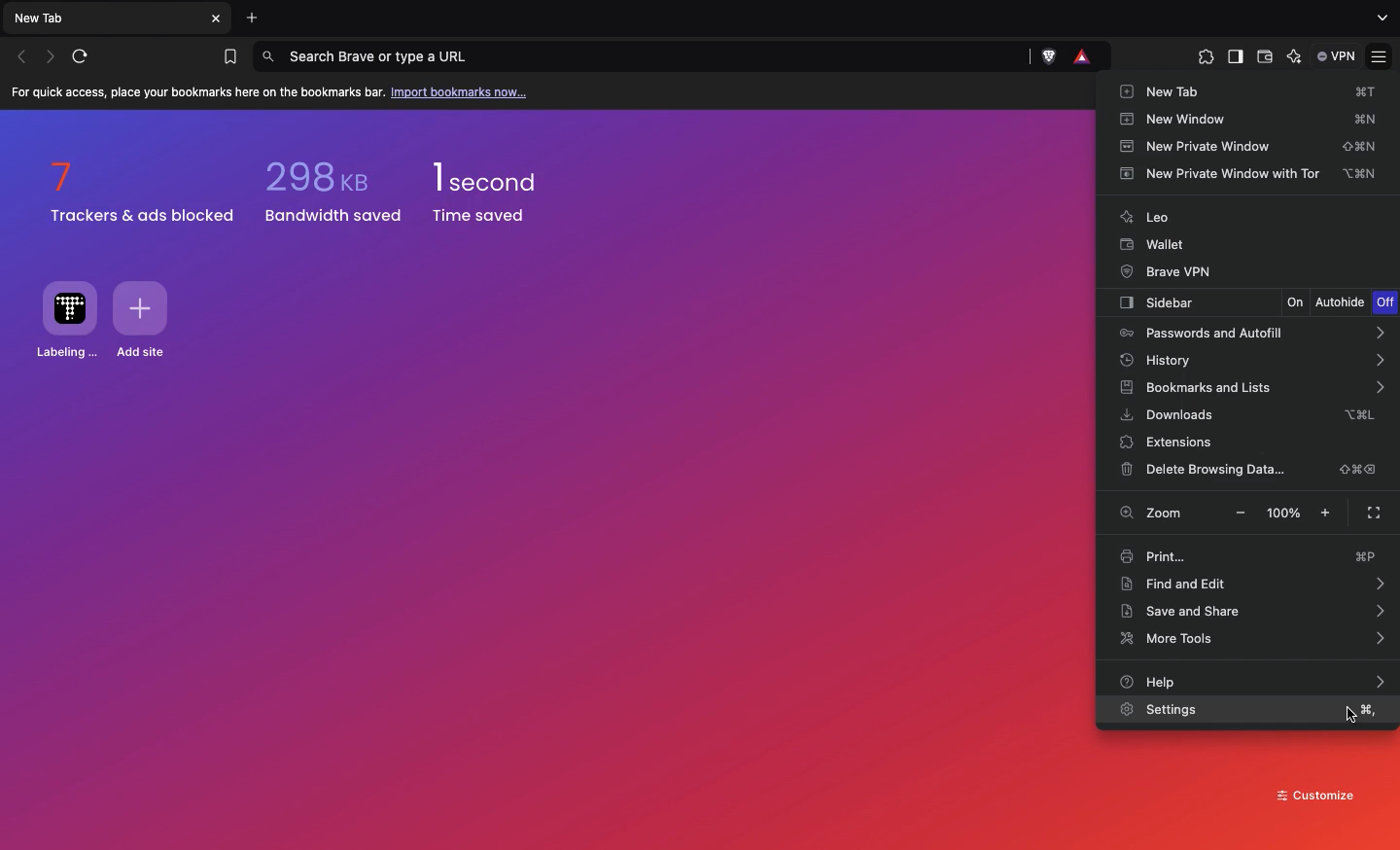 Image resolution: width=1400 pixels, height=850 pixels. What do you see at coordinates (1247, 610) in the screenshot?
I see `Save and share` at bounding box center [1247, 610].